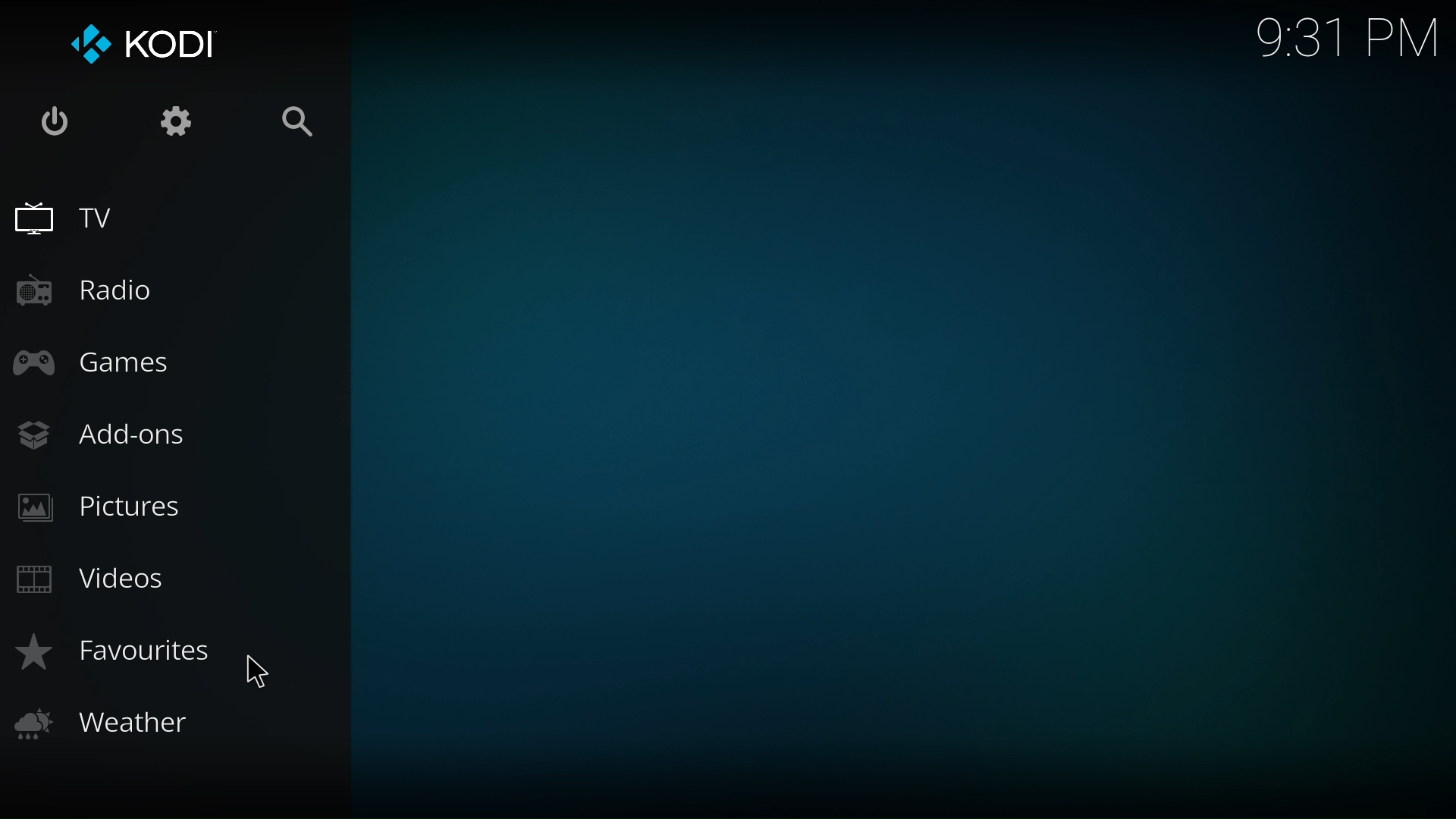 Image resolution: width=1456 pixels, height=819 pixels. Describe the element at coordinates (306, 128) in the screenshot. I see `search` at that location.